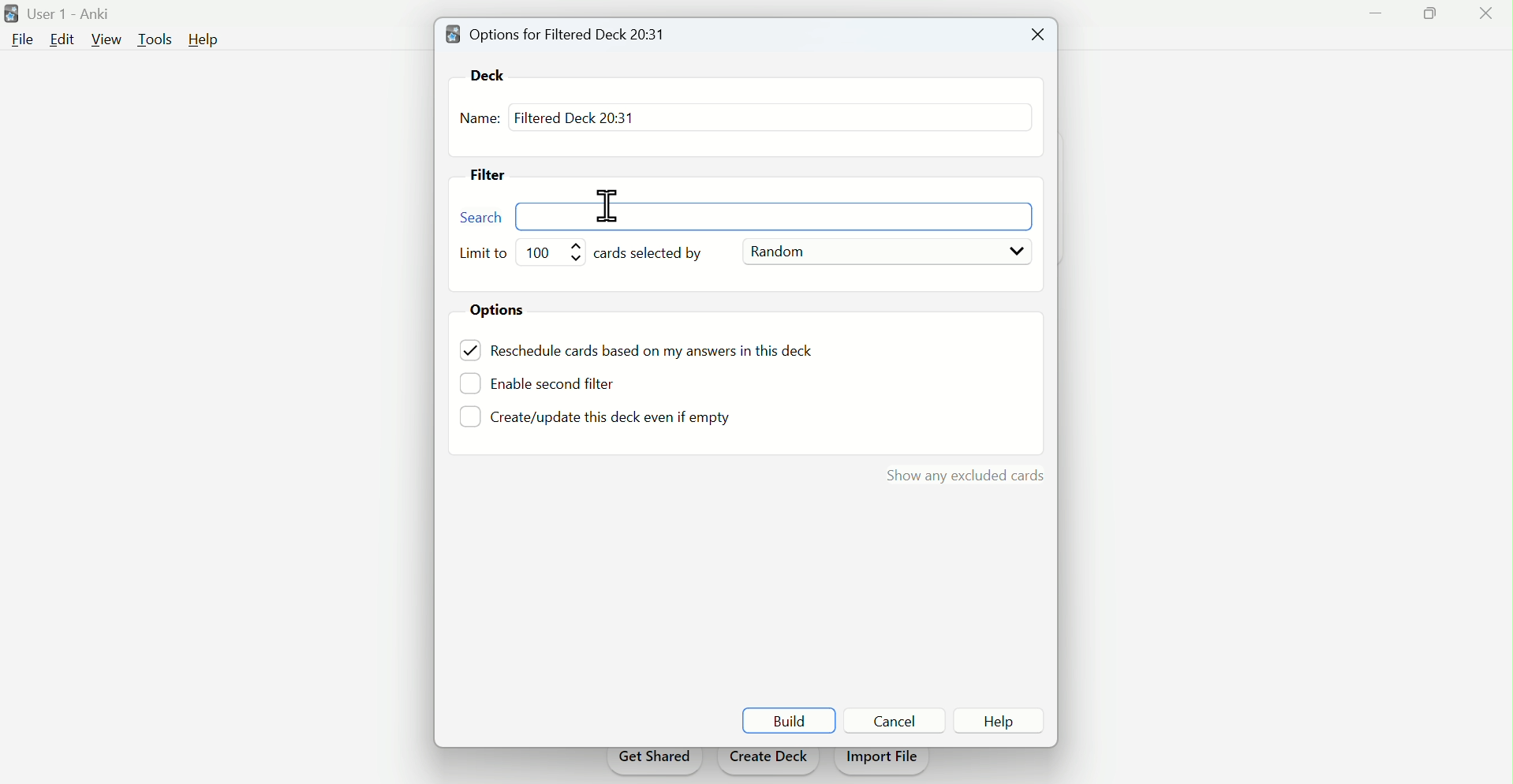 Image resolution: width=1513 pixels, height=784 pixels. Describe the element at coordinates (208, 40) in the screenshot. I see `Help` at that location.